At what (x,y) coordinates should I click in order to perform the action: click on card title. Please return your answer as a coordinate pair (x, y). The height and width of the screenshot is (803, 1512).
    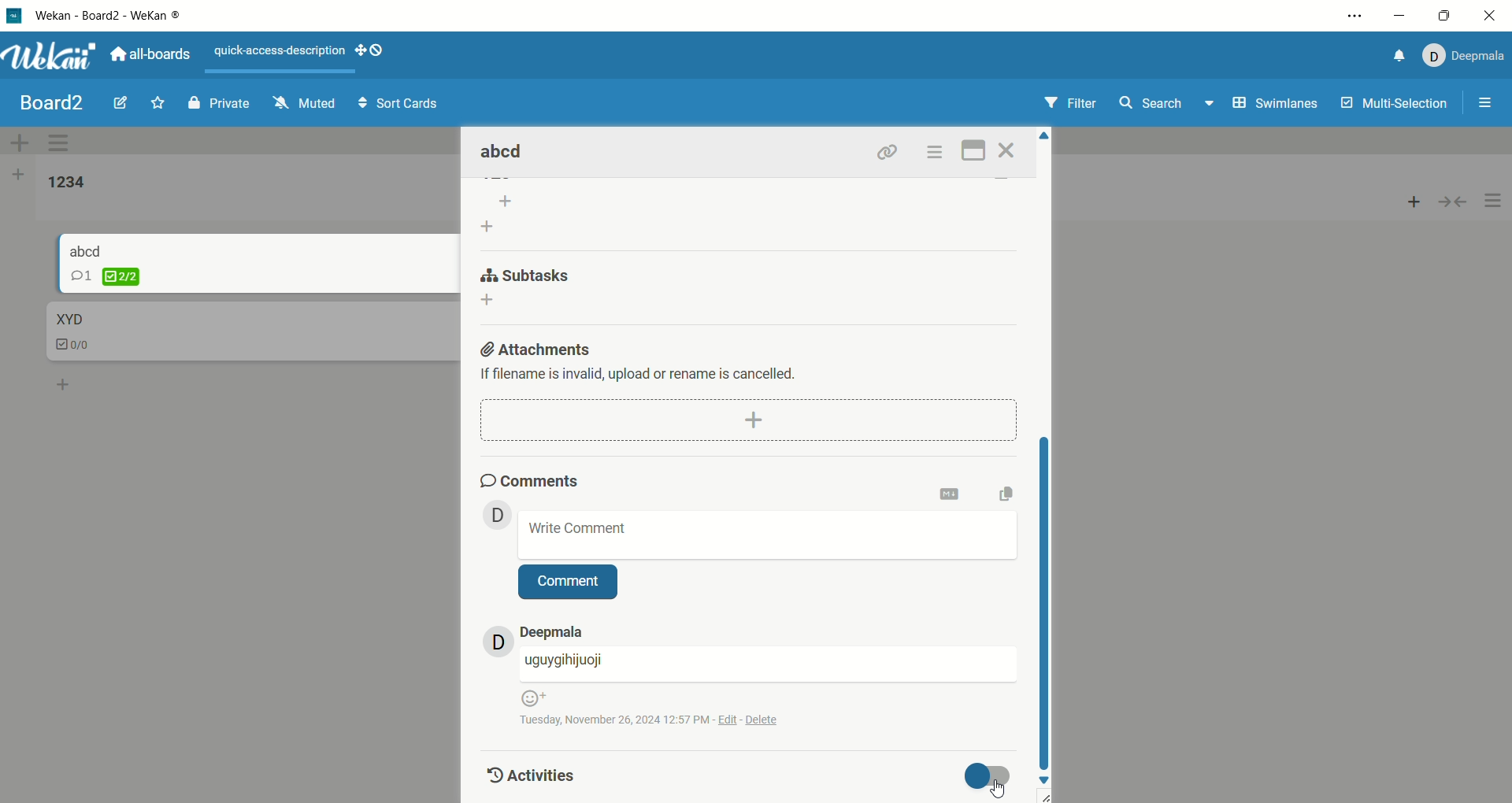
    Looking at the image, I should click on (87, 250).